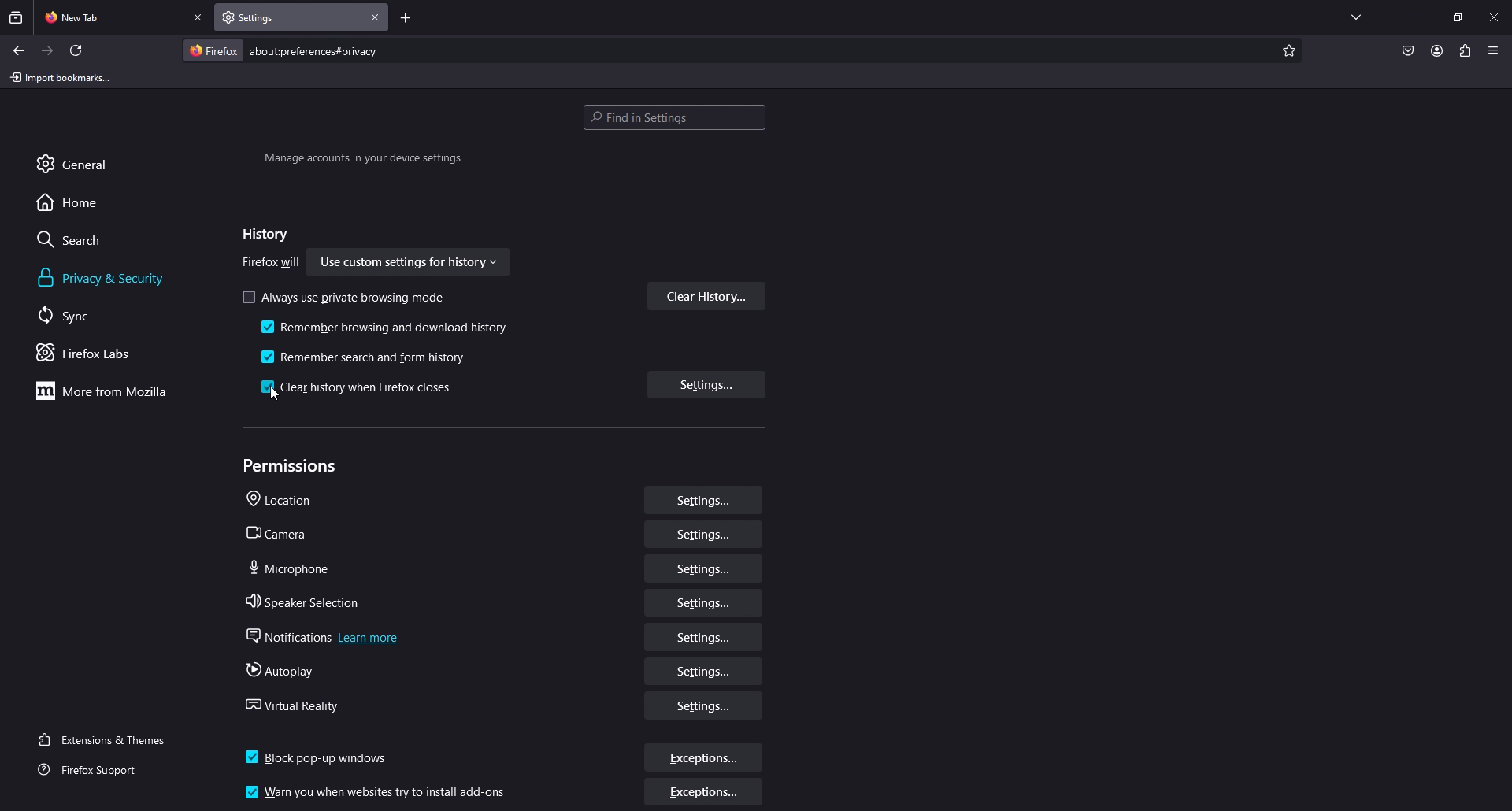 The height and width of the screenshot is (811, 1512). What do you see at coordinates (703, 502) in the screenshot?
I see `settings` at bounding box center [703, 502].